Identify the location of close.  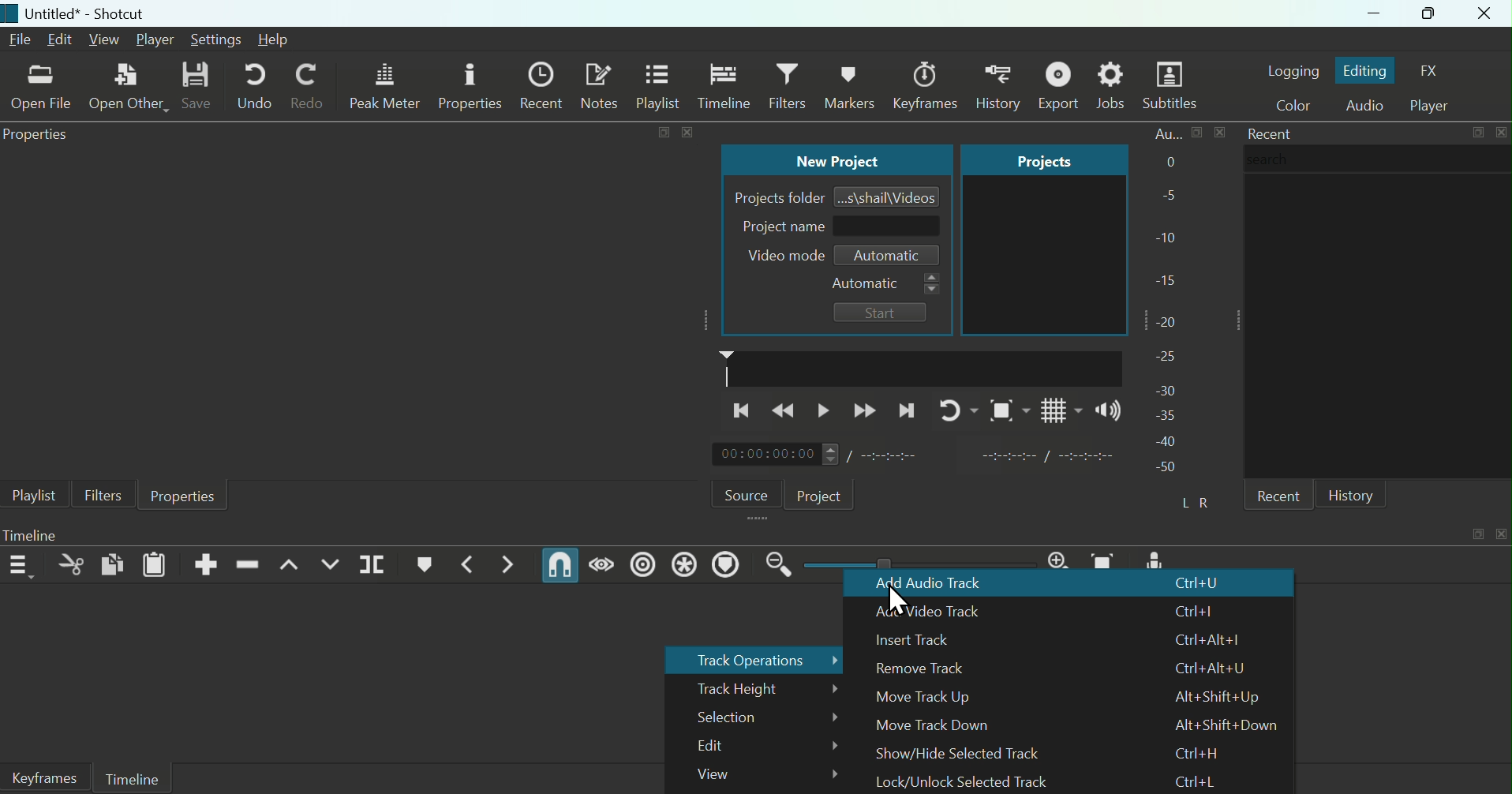
(687, 132).